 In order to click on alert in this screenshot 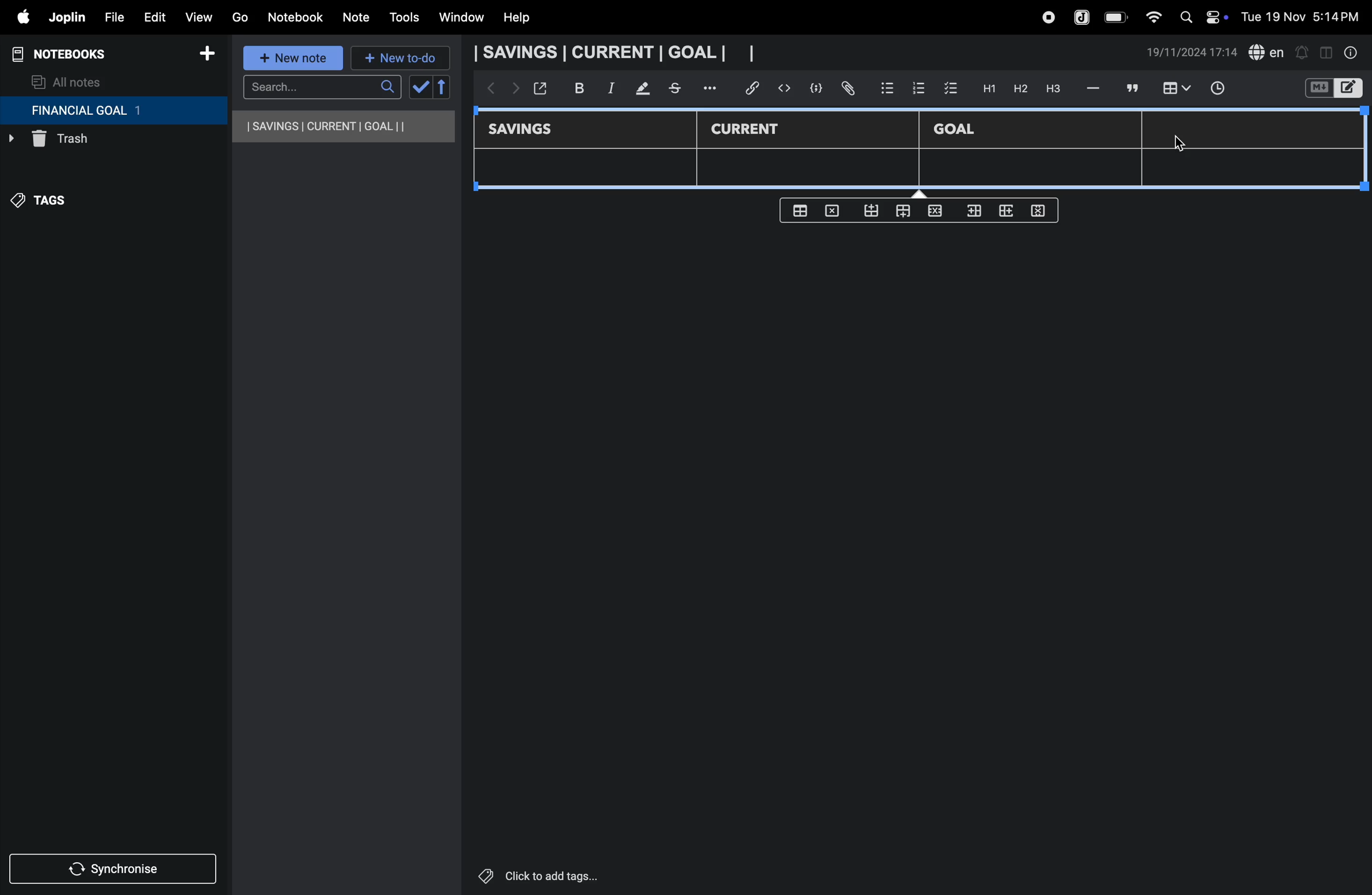, I will do `click(1301, 52)`.